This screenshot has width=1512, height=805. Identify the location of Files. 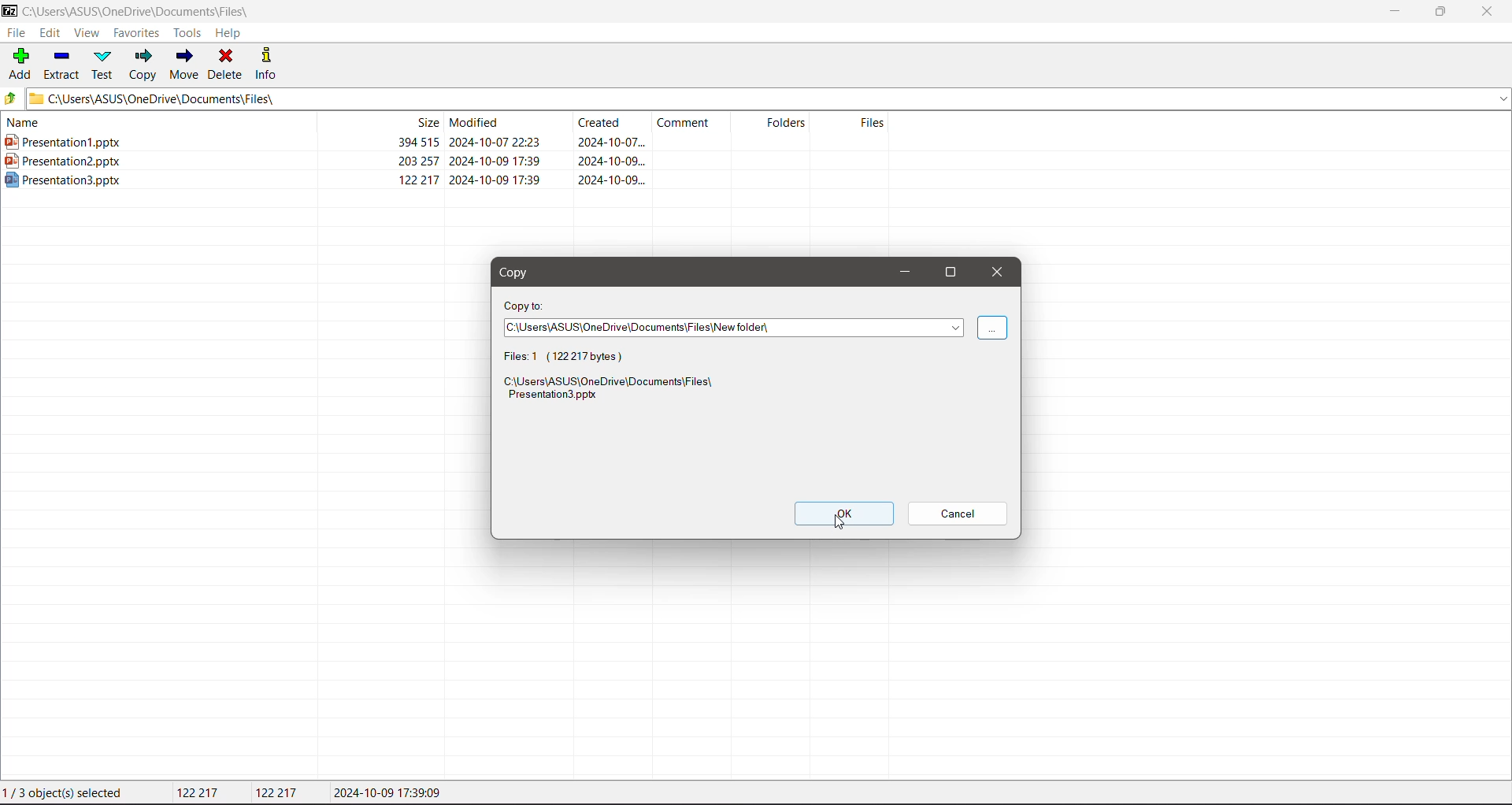
(856, 123).